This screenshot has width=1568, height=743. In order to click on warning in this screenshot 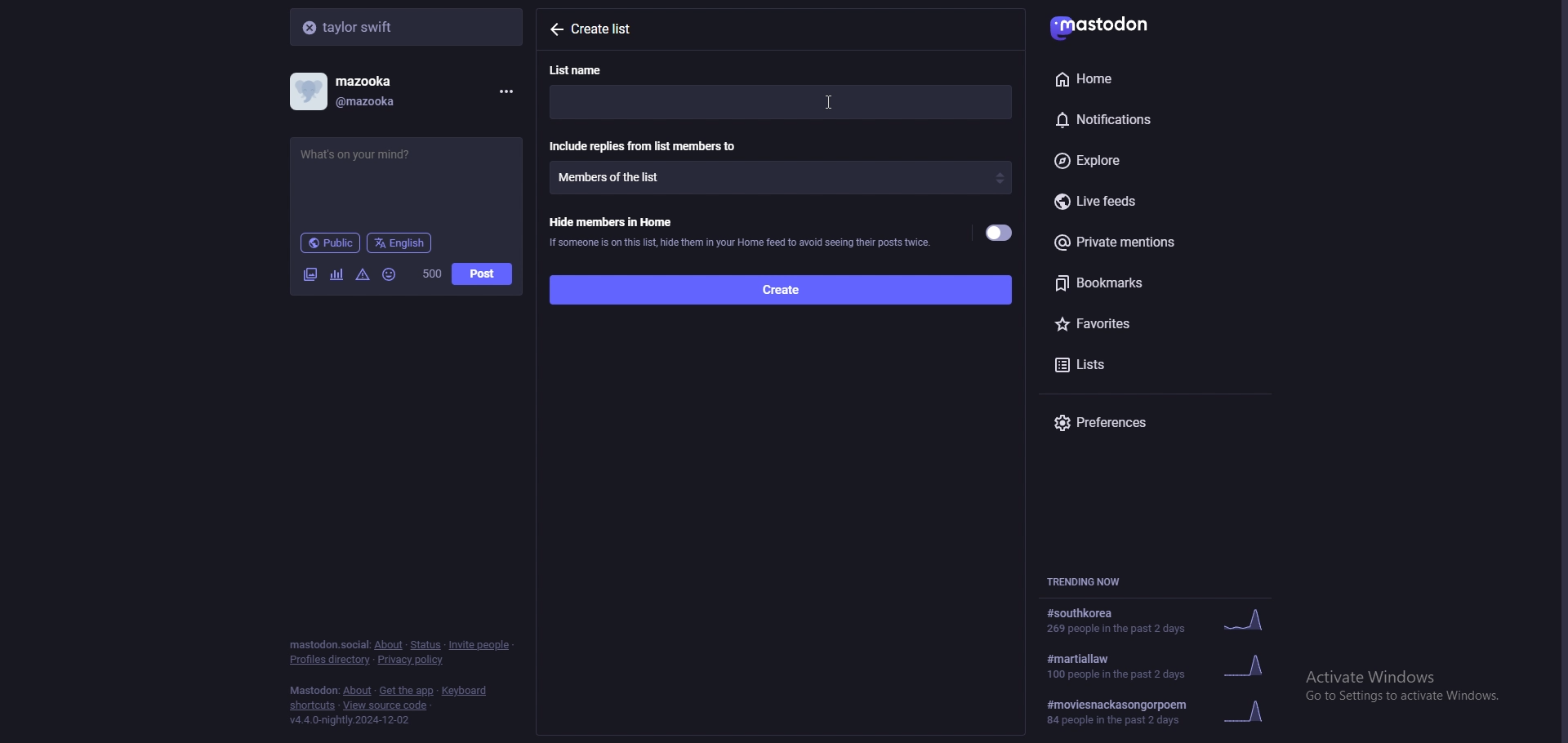, I will do `click(363, 274)`.